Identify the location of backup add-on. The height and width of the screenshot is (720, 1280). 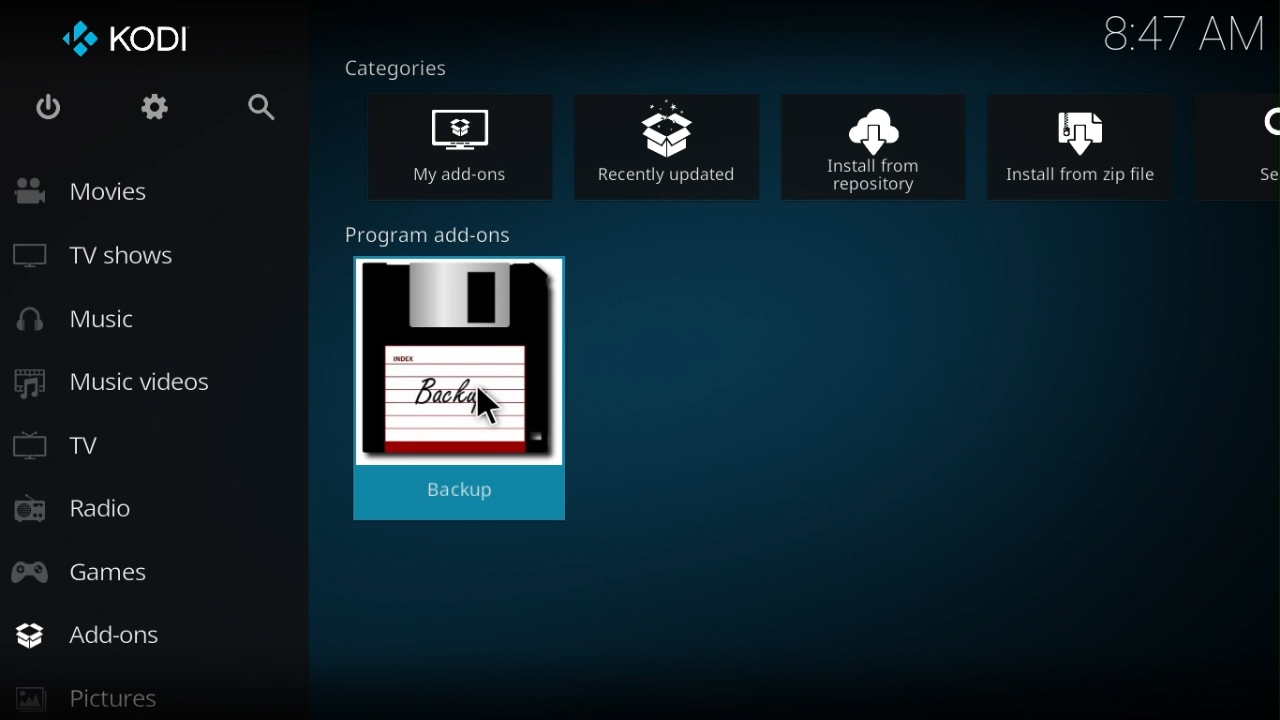
(466, 379).